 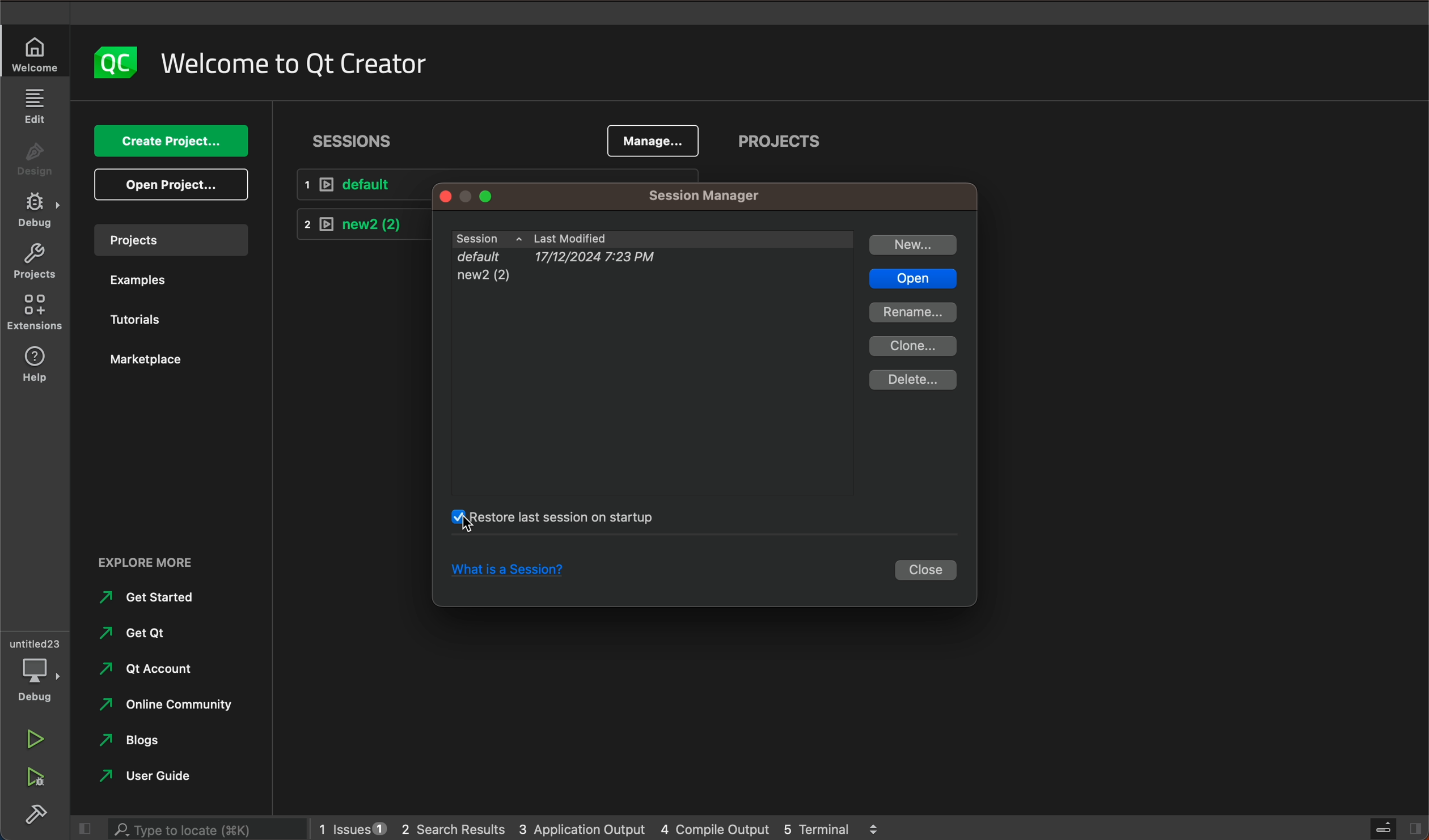 I want to click on rename , so click(x=911, y=313).